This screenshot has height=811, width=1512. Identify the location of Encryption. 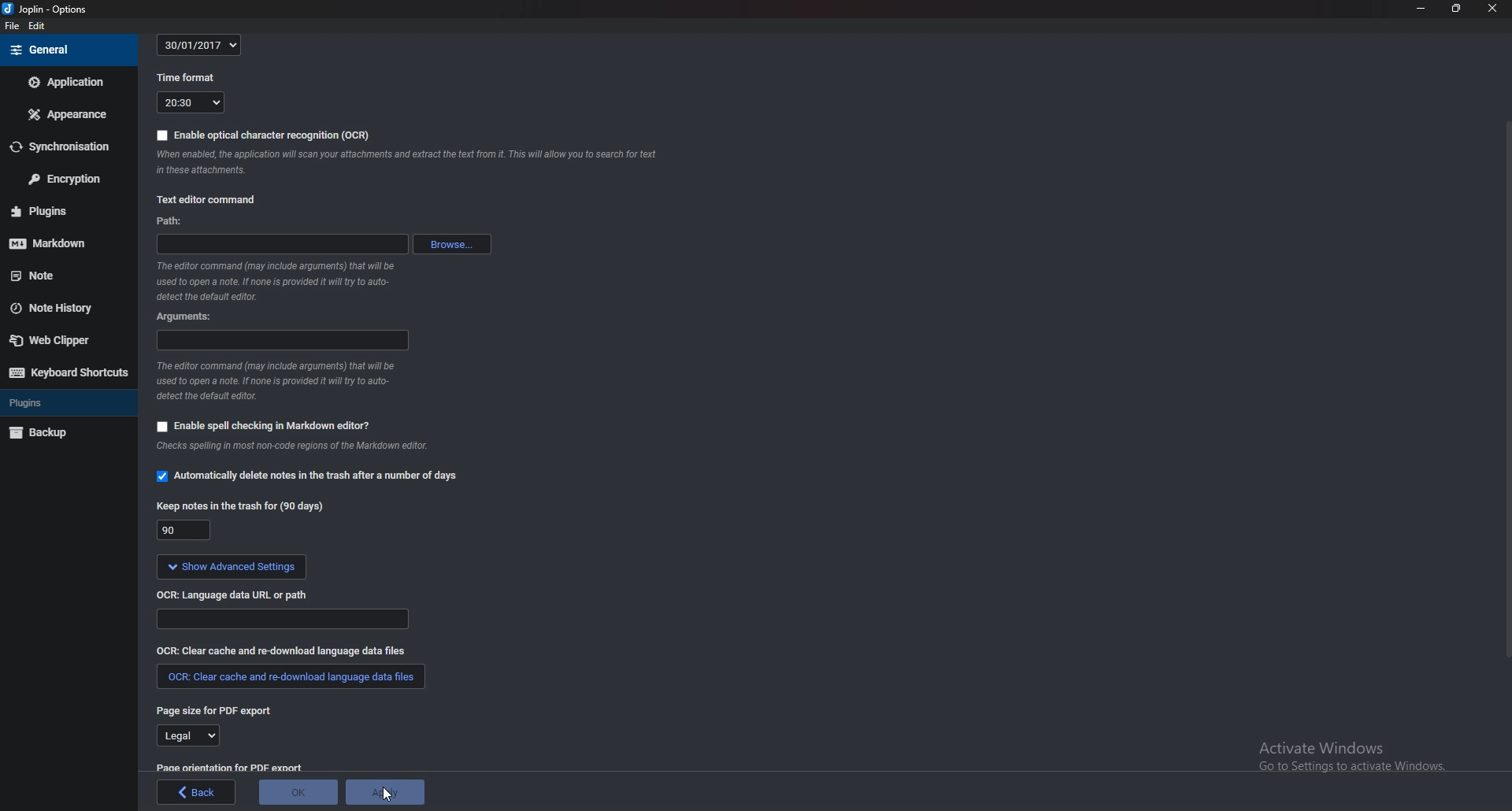
(66, 178).